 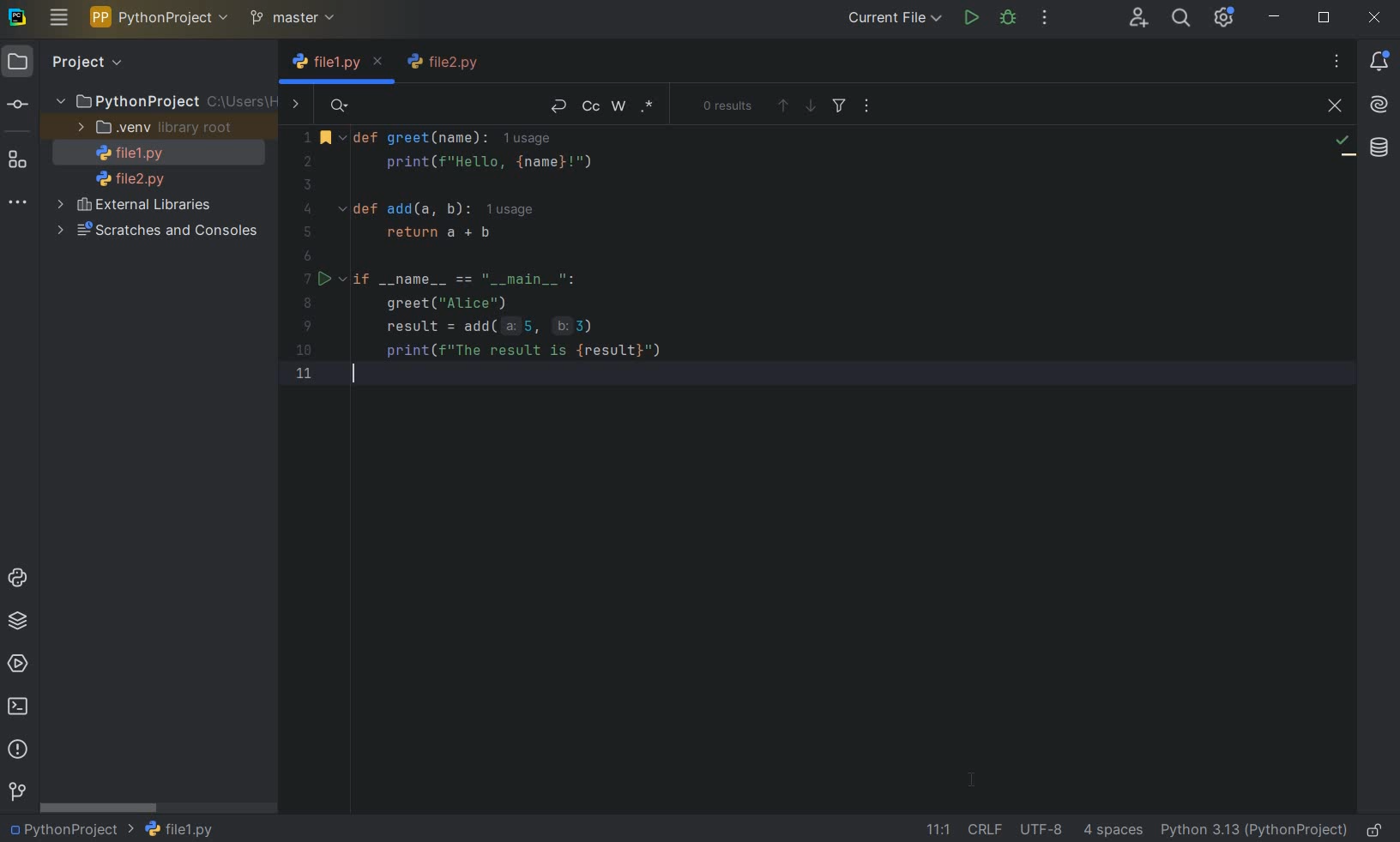 What do you see at coordinates (341, 106) in the screenshot?
I see `SEARCH HISTORY` at bounding box center [341, 106].